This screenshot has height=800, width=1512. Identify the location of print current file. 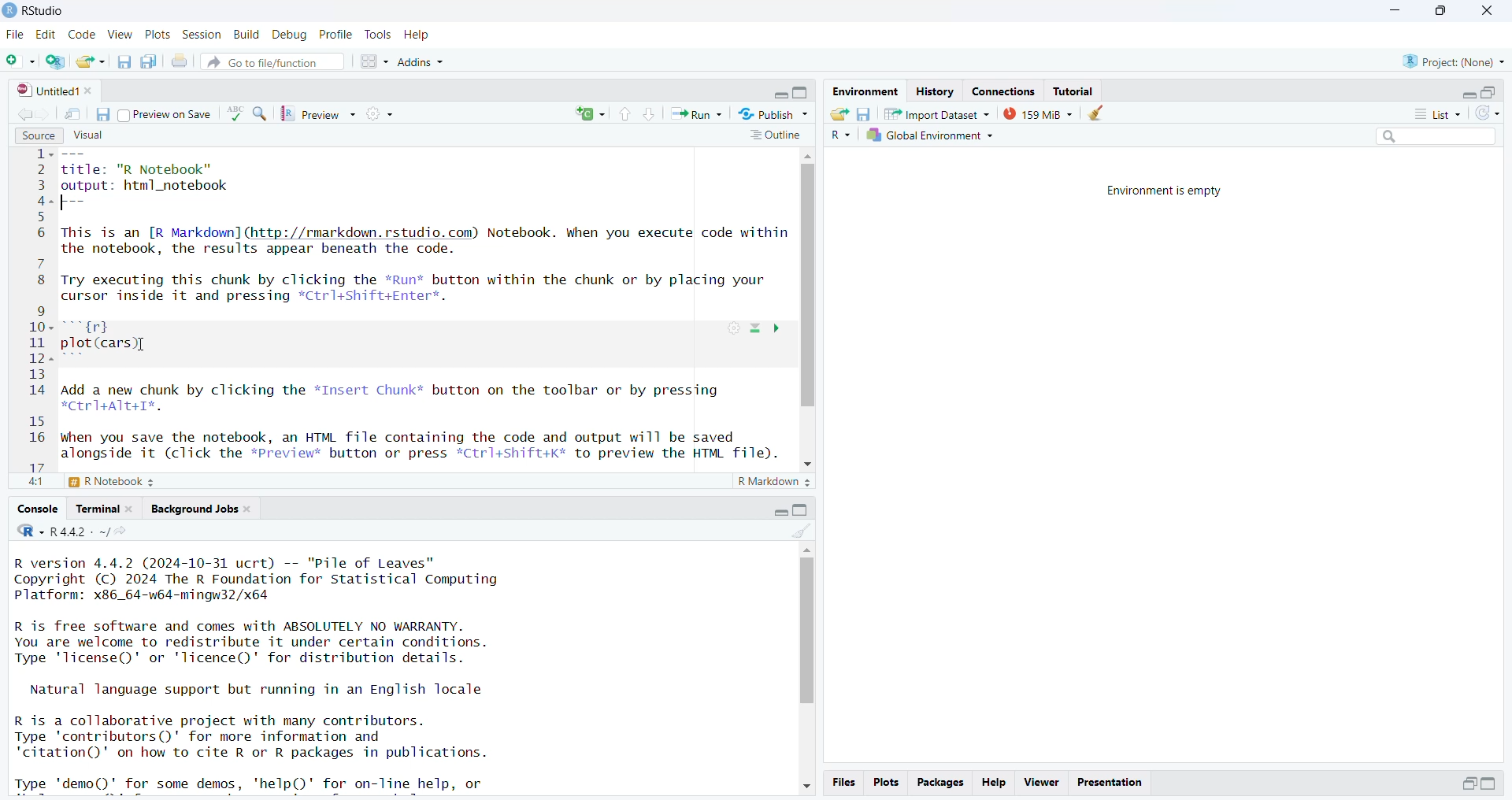
(180, 63).